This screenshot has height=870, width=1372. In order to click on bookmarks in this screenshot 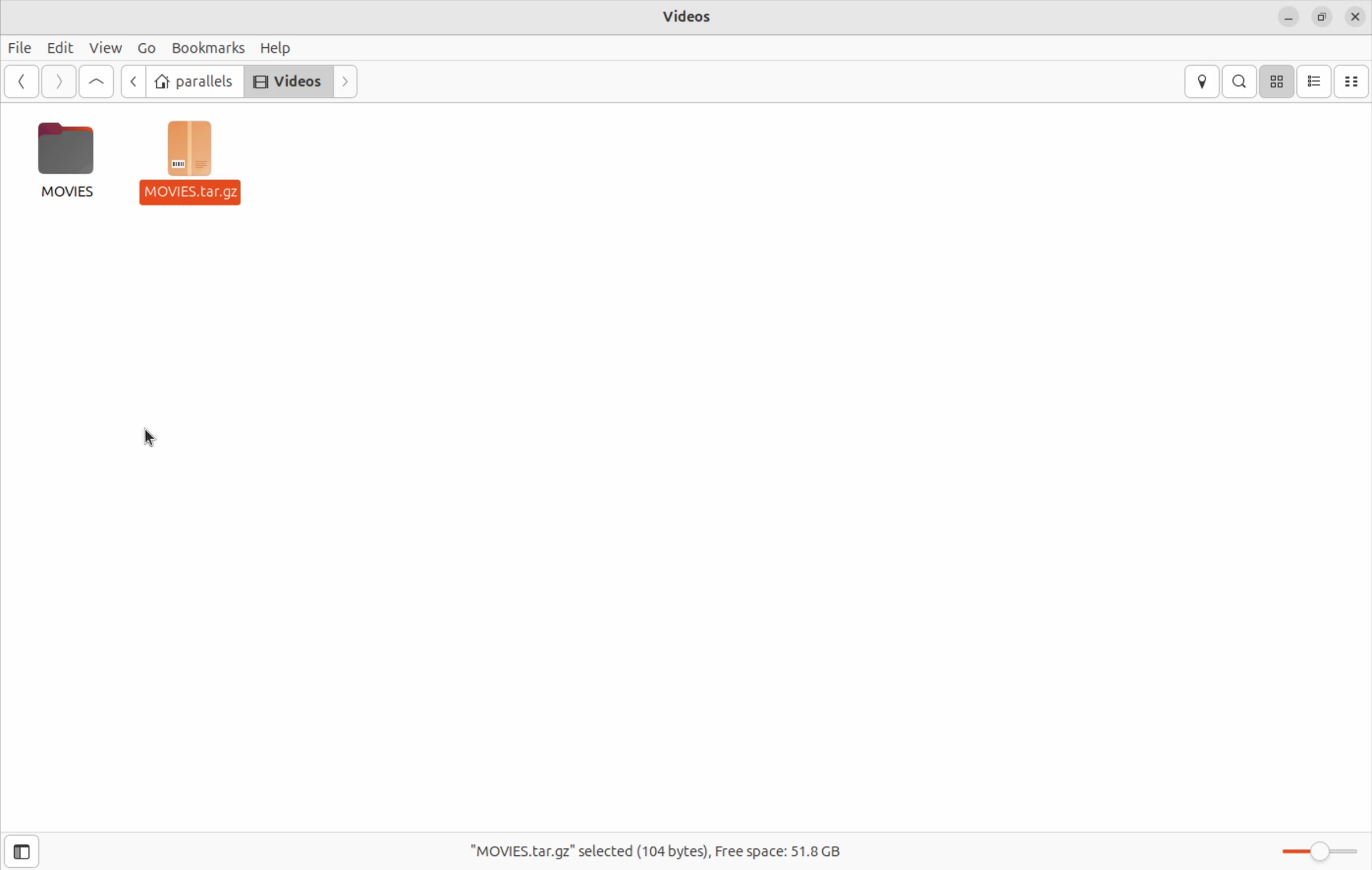, I will do `click(205, 48)`.